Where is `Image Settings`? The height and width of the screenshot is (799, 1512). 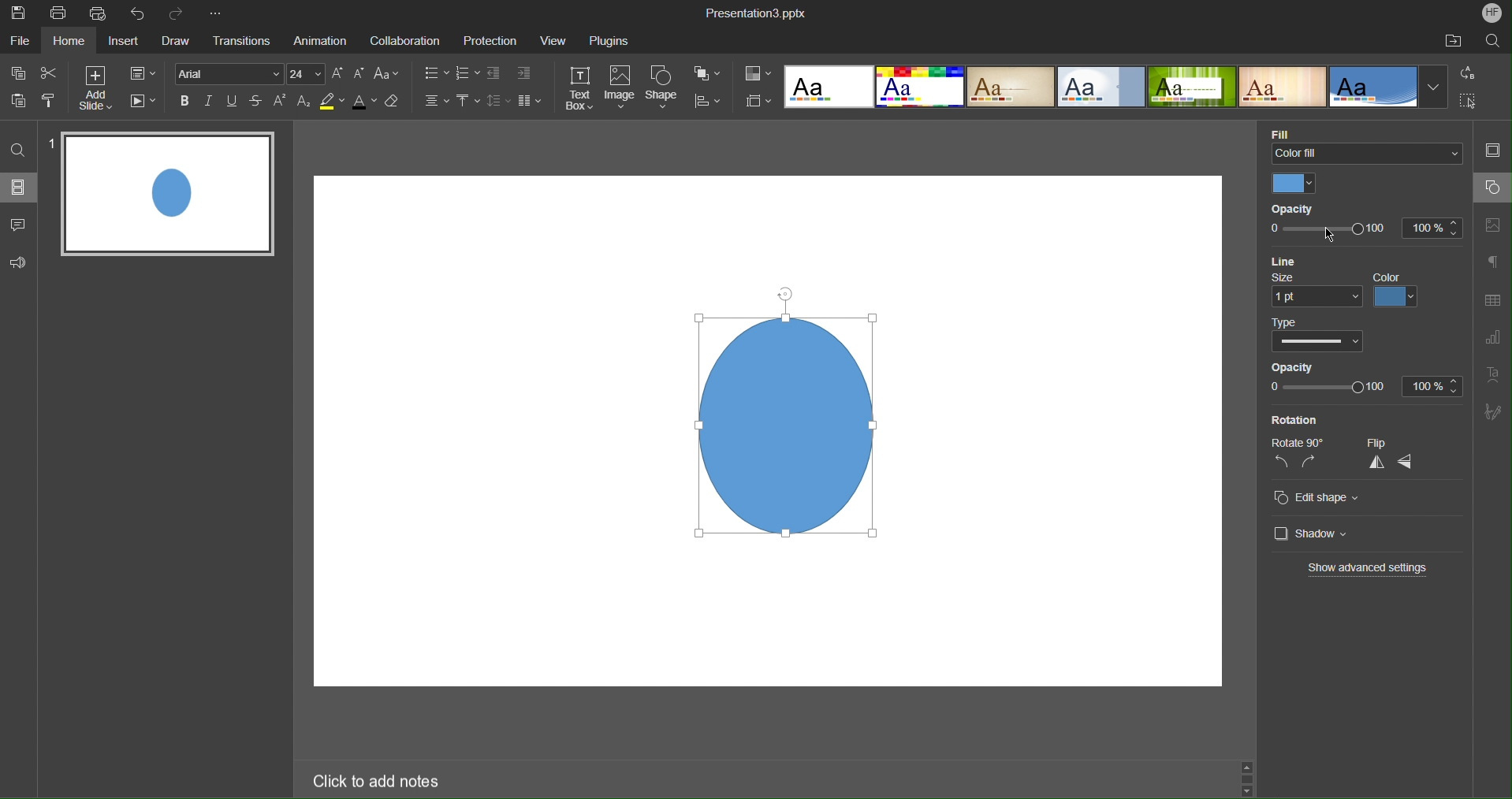 Image Settings is located at coordinates (1496, 224).